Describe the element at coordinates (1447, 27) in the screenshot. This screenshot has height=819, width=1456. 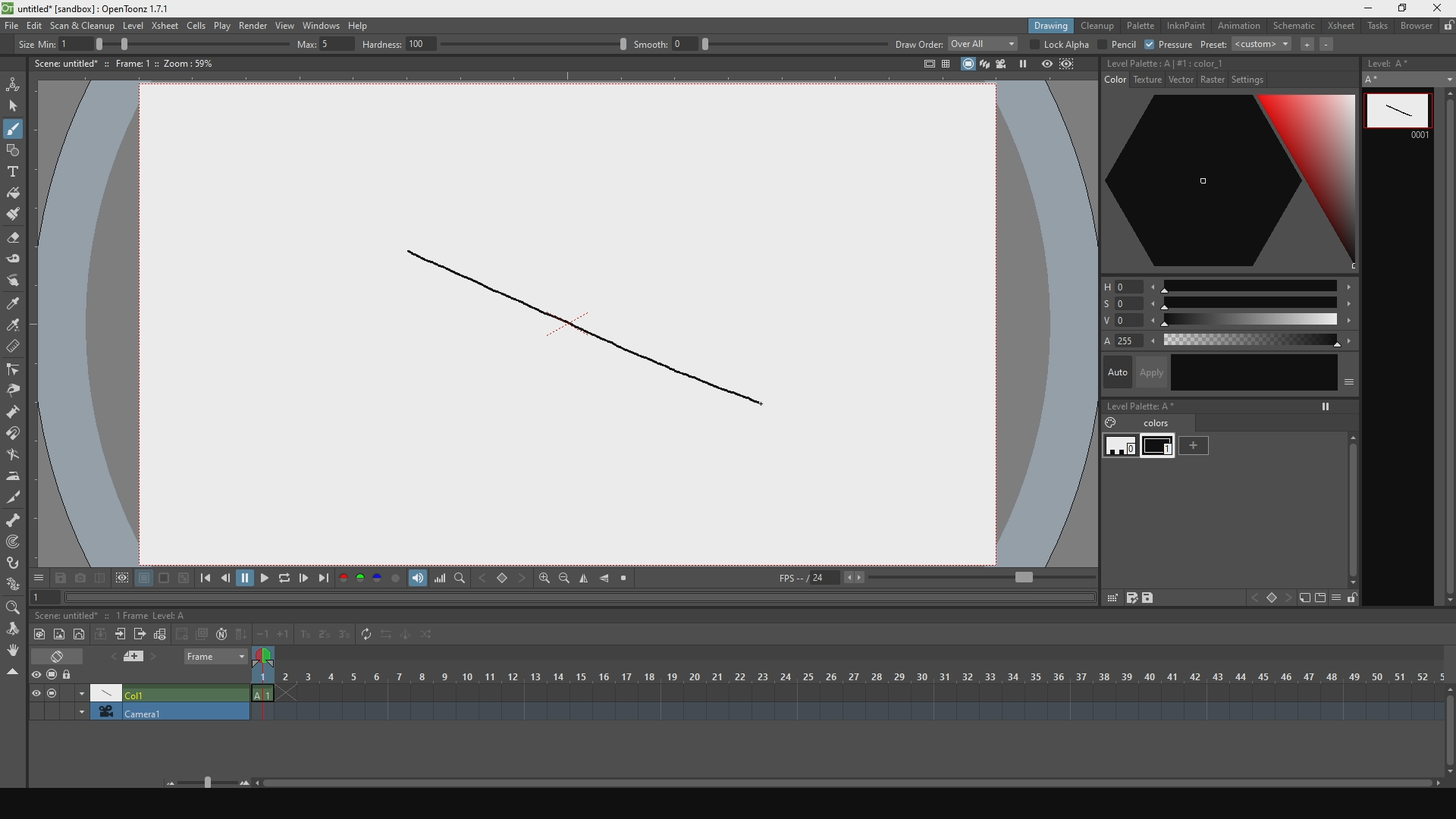
I see `lock` at that location.